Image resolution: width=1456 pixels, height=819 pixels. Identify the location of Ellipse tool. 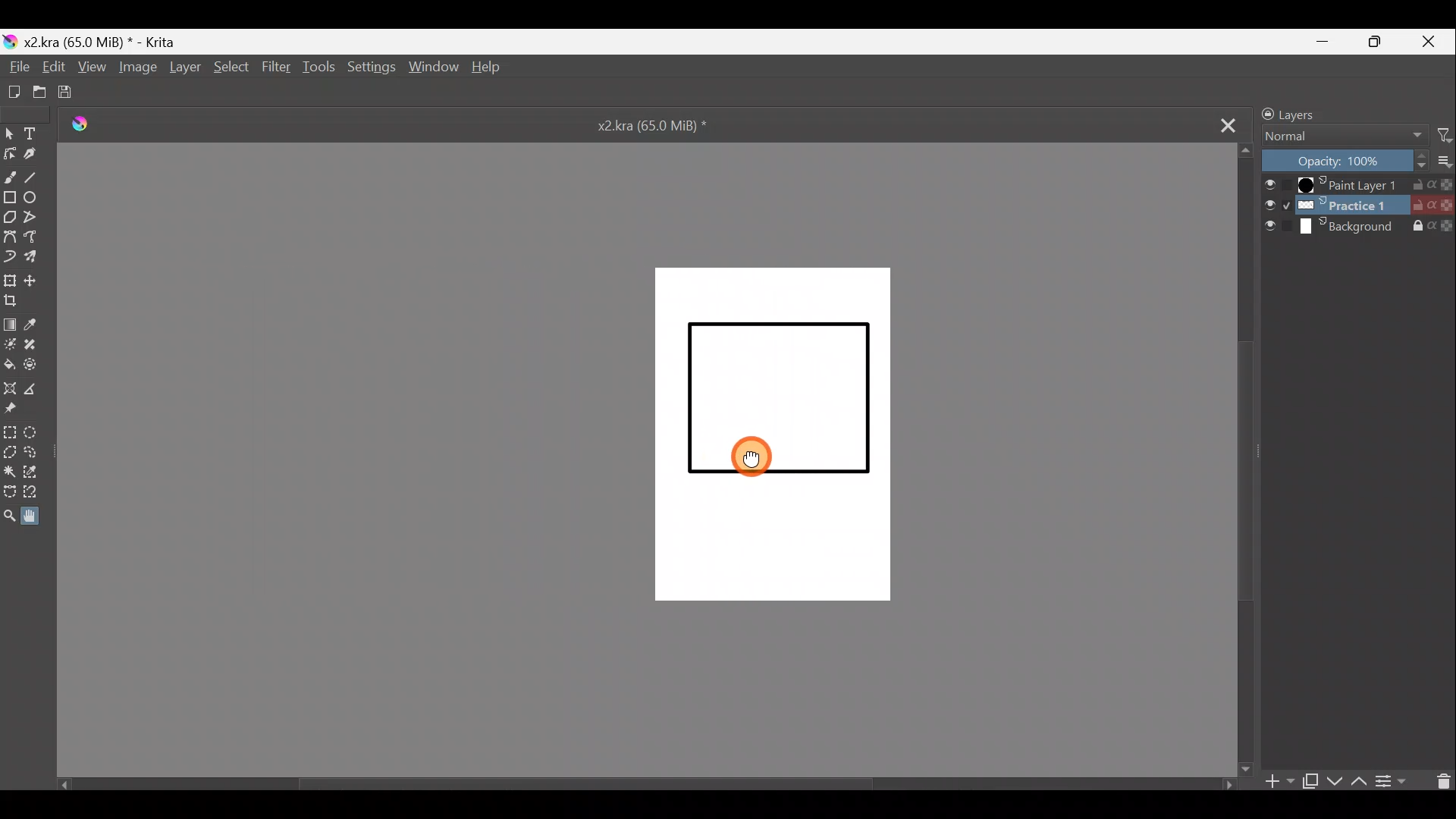
(36, 196).